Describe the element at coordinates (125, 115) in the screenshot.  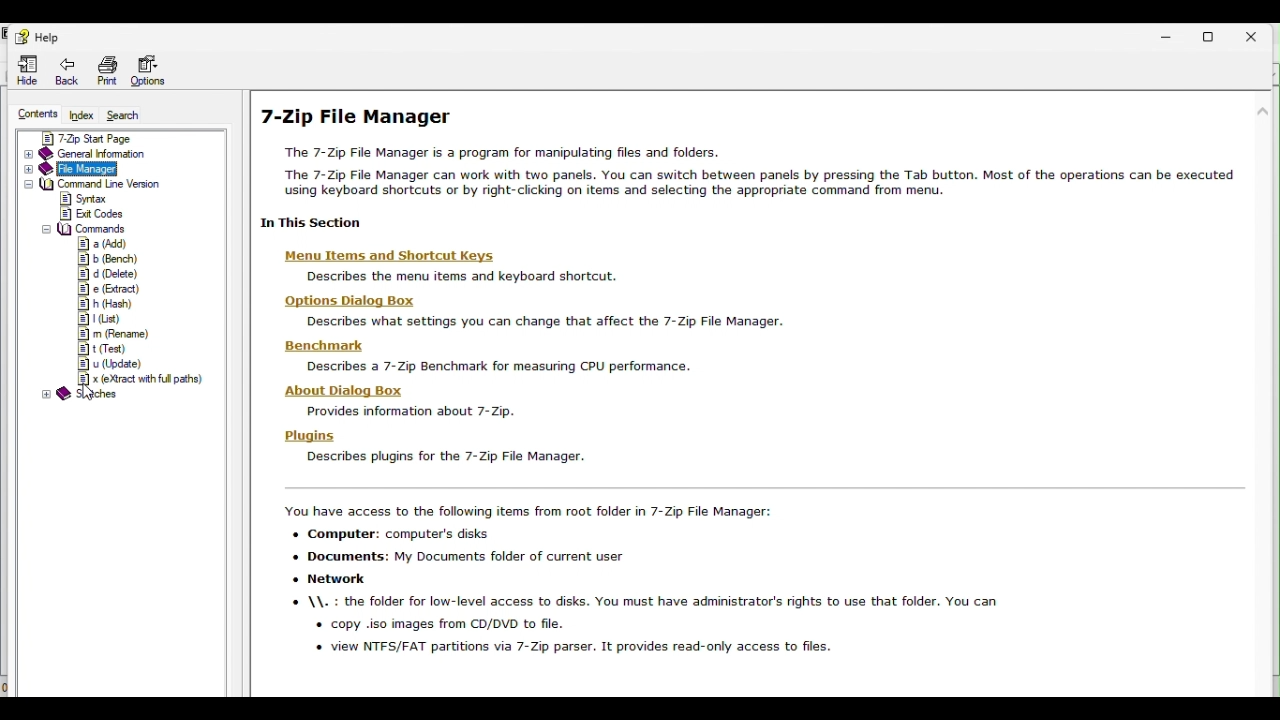
I see `Search` at that location.